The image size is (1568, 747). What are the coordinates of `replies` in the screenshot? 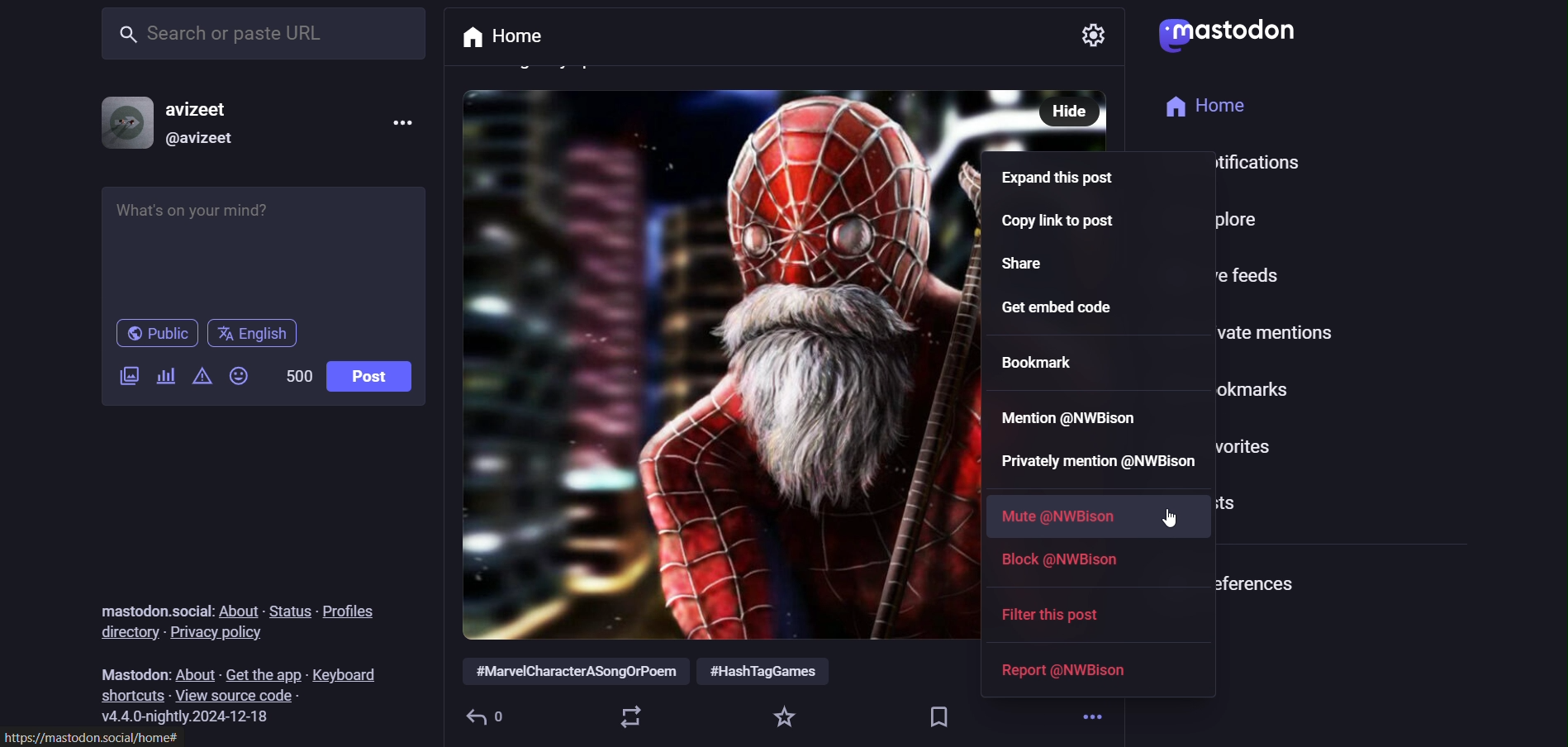 It's located at (493, 716).